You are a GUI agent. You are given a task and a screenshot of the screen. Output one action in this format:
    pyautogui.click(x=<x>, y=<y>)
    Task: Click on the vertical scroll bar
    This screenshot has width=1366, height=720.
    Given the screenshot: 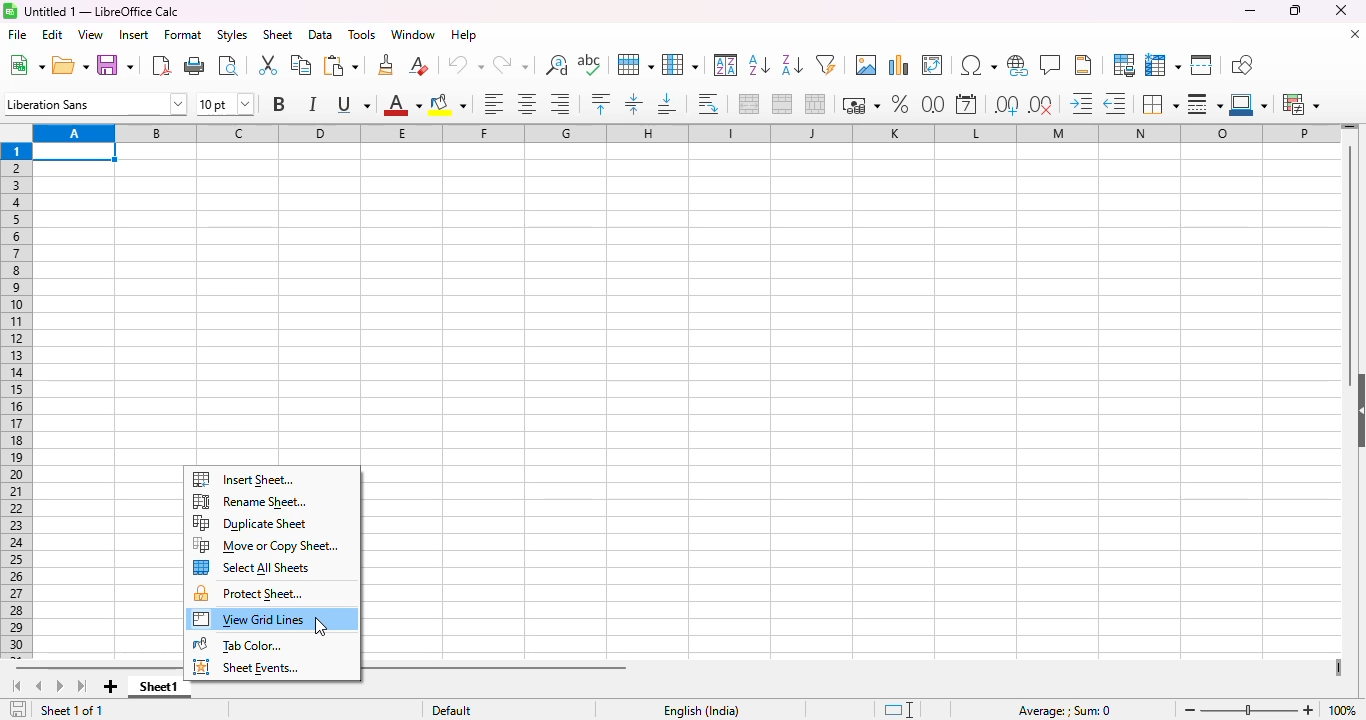 What is the action you would take?
    pyautogui.click(x=1350, y=265)
    